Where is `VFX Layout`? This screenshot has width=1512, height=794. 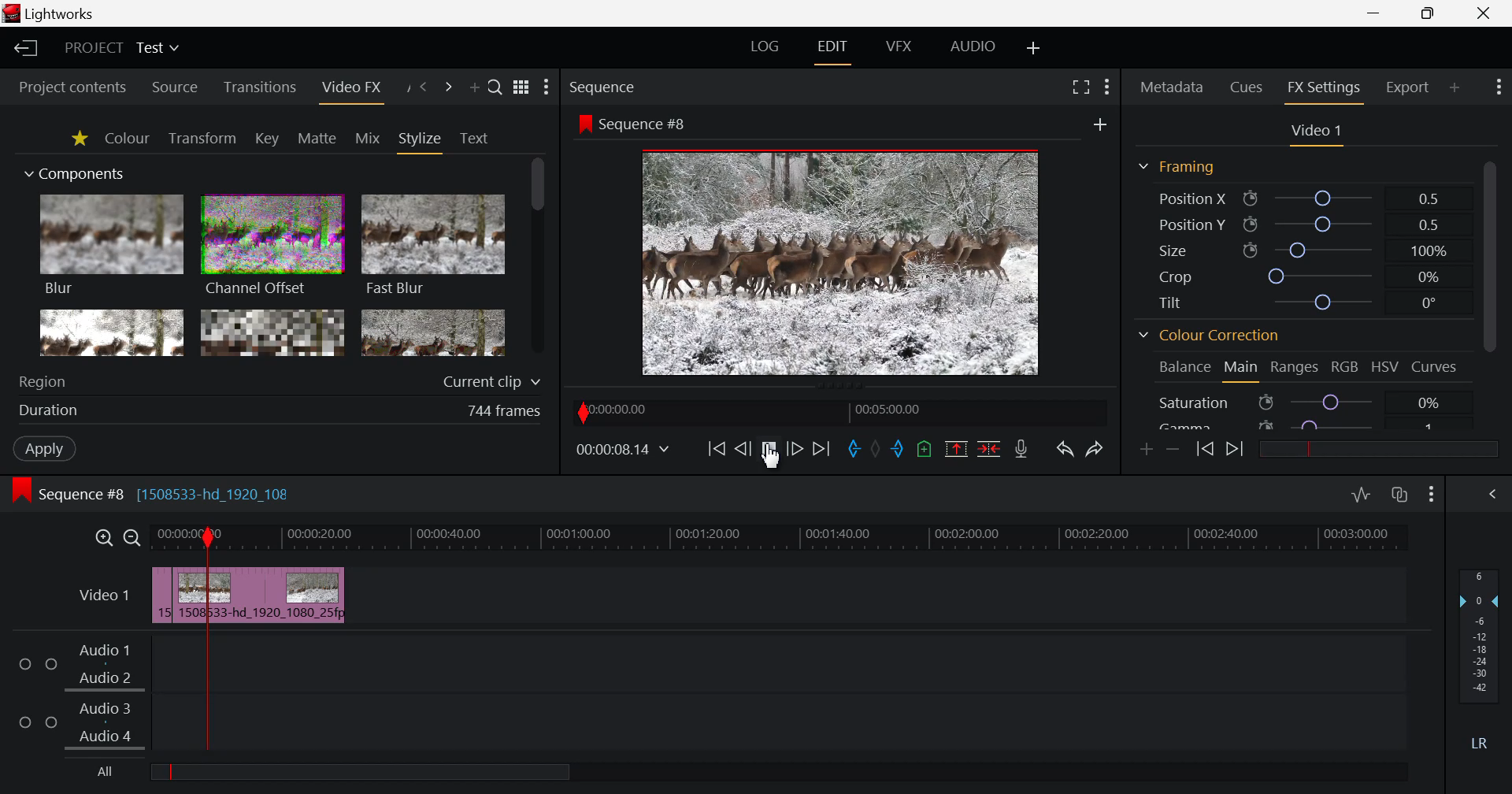 VFX Layout is located at coordinates (898, 47).